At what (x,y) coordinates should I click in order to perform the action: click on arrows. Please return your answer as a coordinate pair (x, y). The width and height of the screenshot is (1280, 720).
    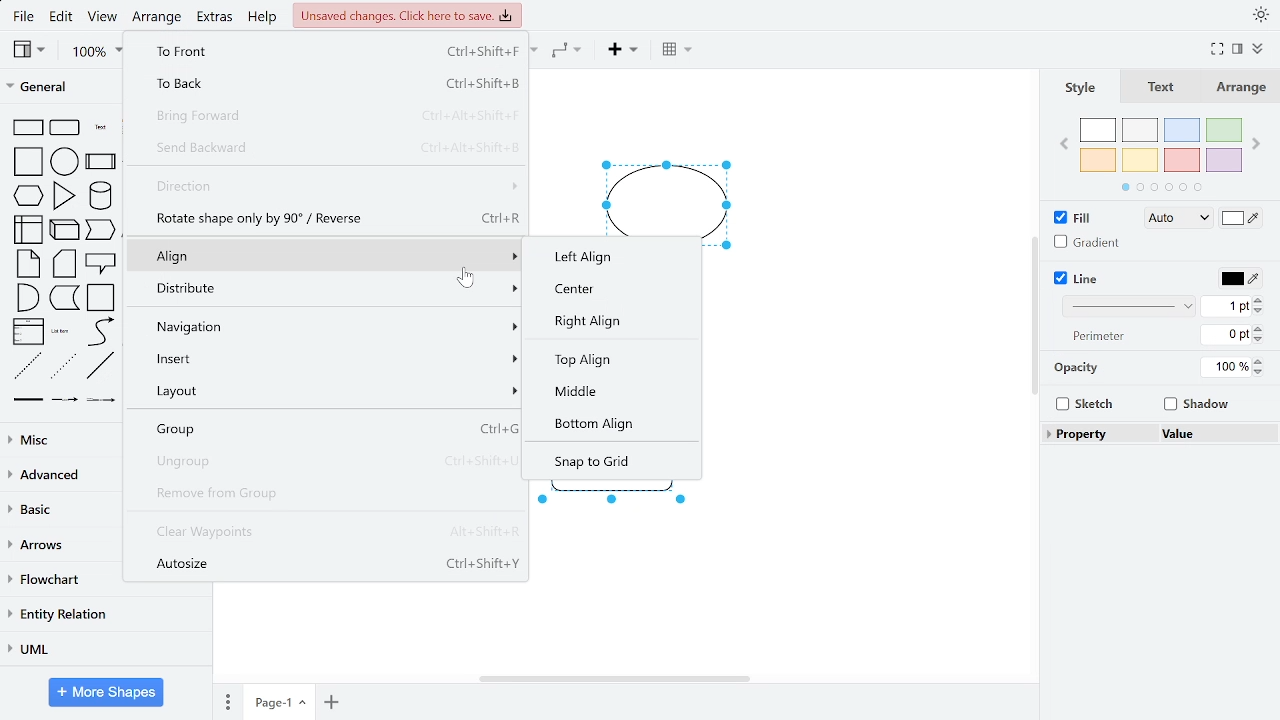
    Looking at the image, I should click on (59, 546).